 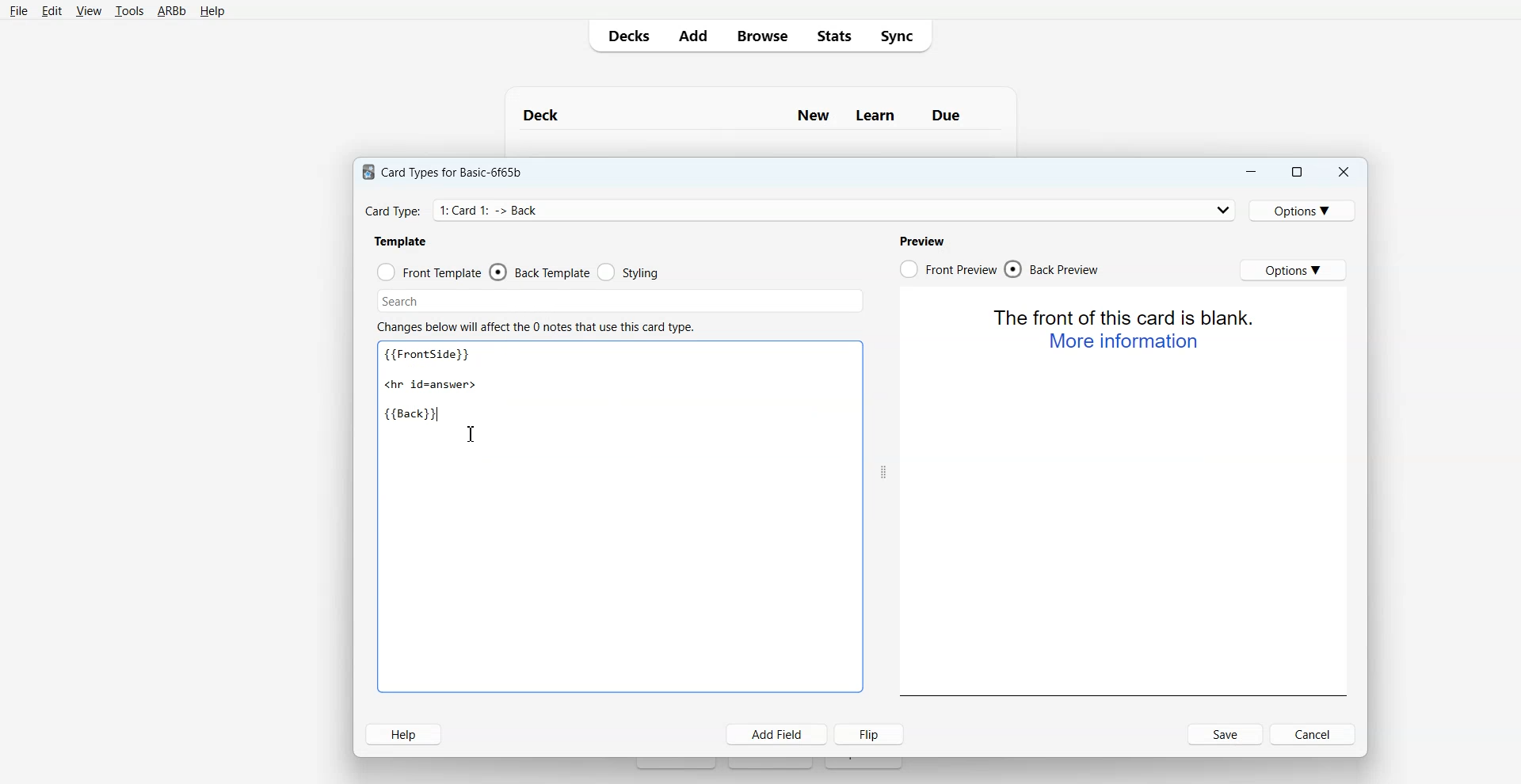 What do you see at coordinates (925, 239) in the screenshot?
I see `Text 4` at bounding box center [925, 239].